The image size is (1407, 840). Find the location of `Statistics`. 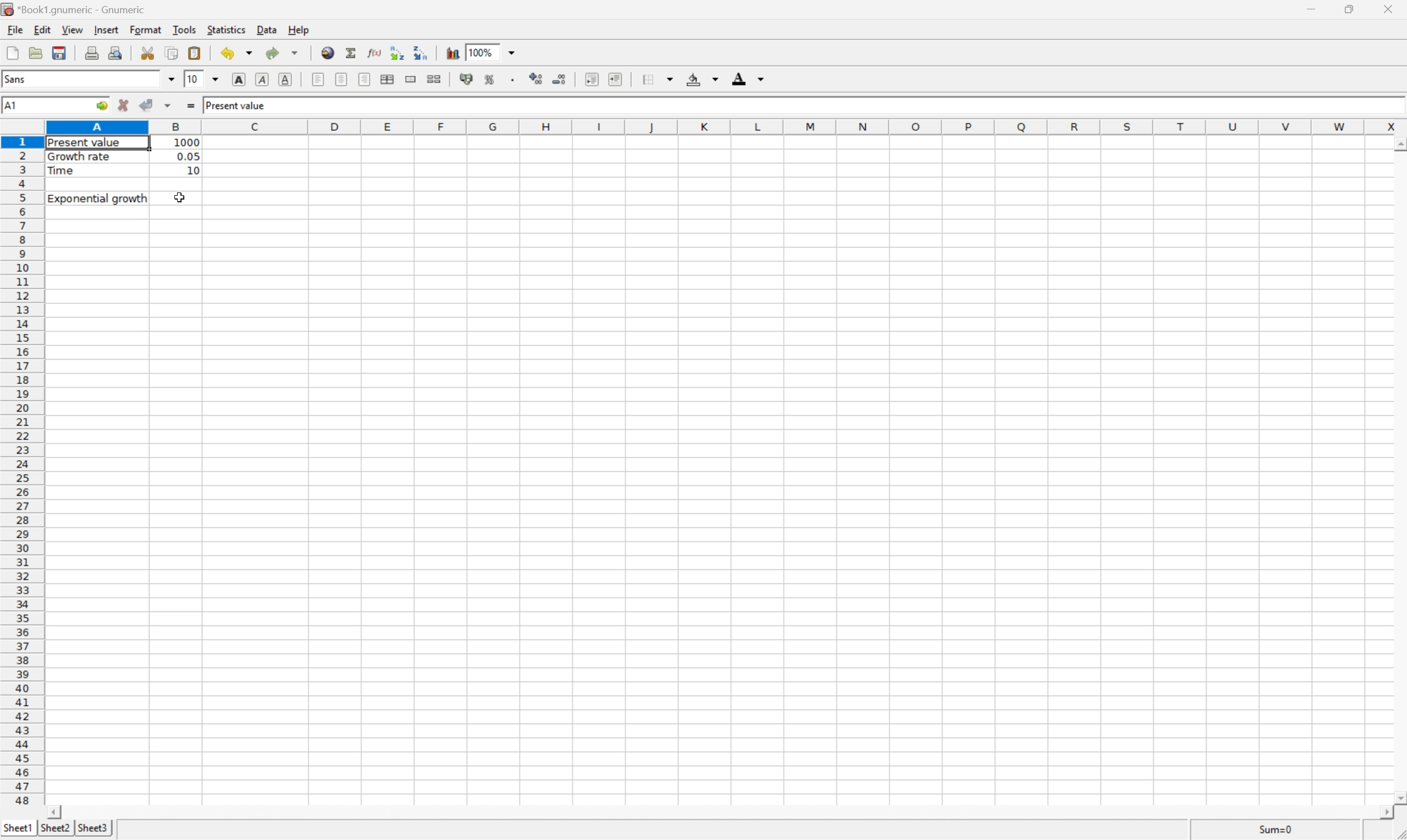

Statistics is located at coordinates (225, 29).